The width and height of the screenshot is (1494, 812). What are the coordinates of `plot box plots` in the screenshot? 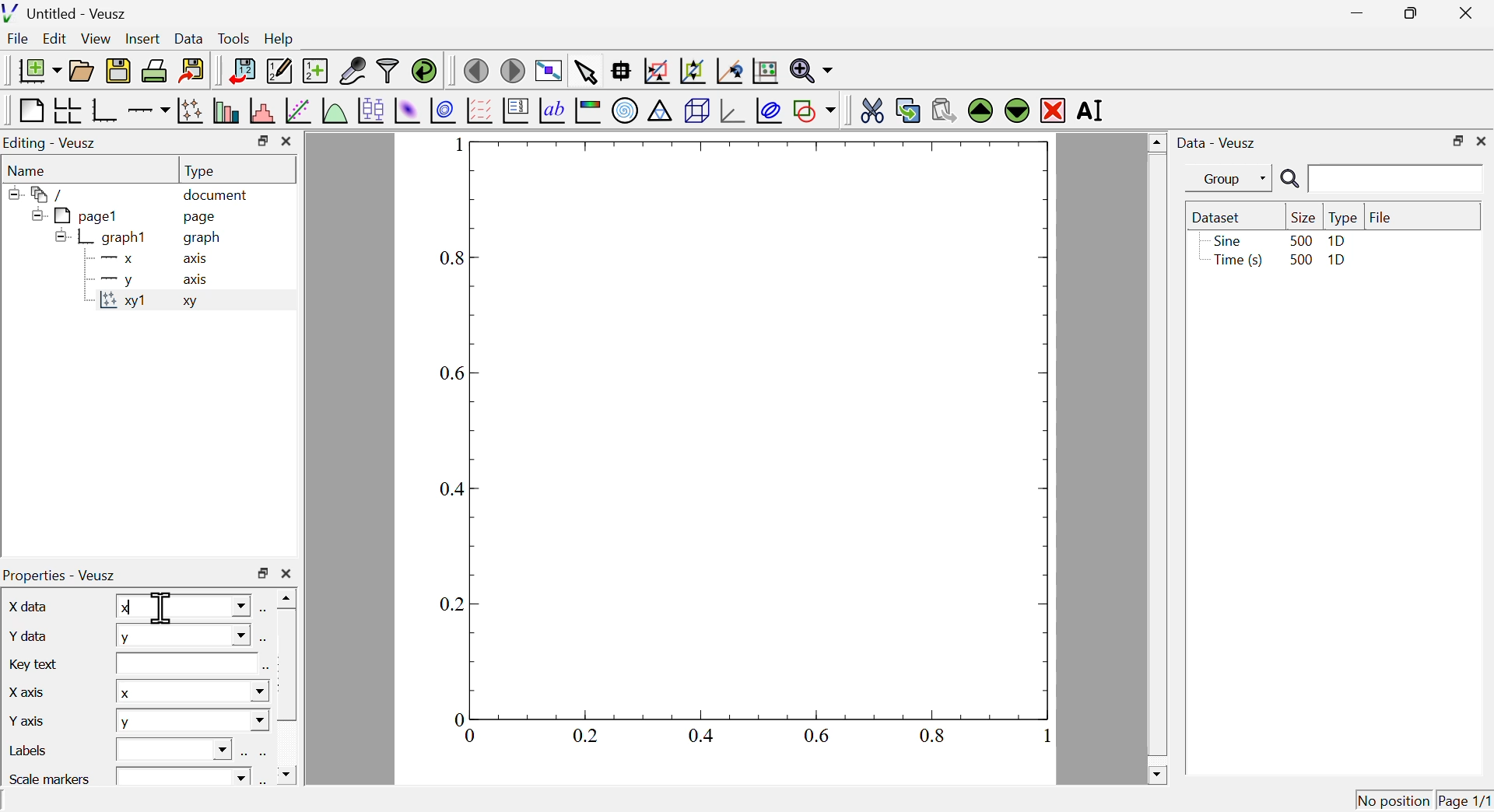 It's located at (370, 109).